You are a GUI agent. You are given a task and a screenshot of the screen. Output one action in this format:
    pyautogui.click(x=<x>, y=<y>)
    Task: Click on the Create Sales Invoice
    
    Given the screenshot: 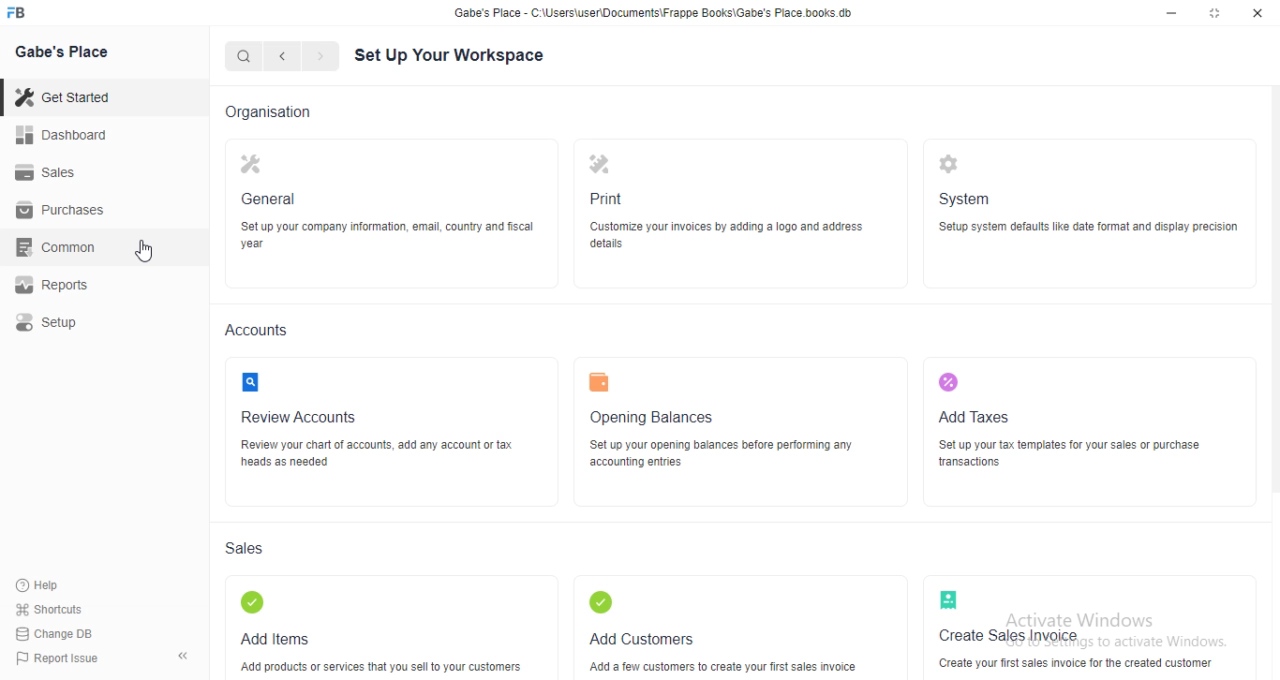 What is the action you would take?
    pyautogui.click(x=1015, y=635)
    